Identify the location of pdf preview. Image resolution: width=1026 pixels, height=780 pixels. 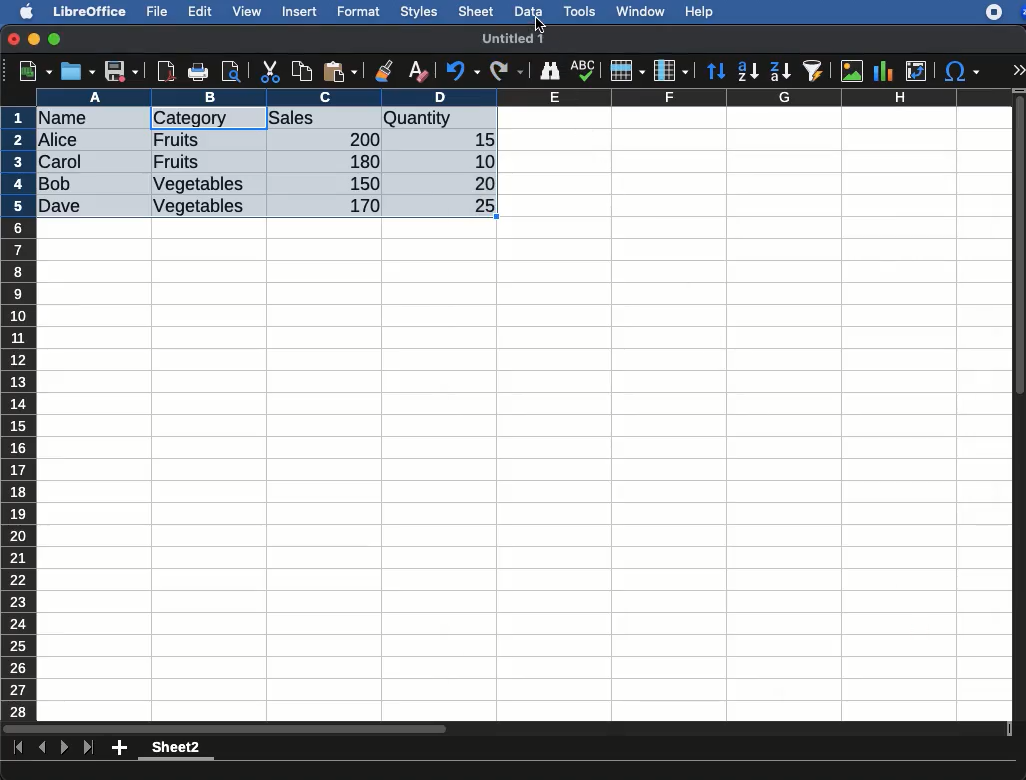
(167, 71).